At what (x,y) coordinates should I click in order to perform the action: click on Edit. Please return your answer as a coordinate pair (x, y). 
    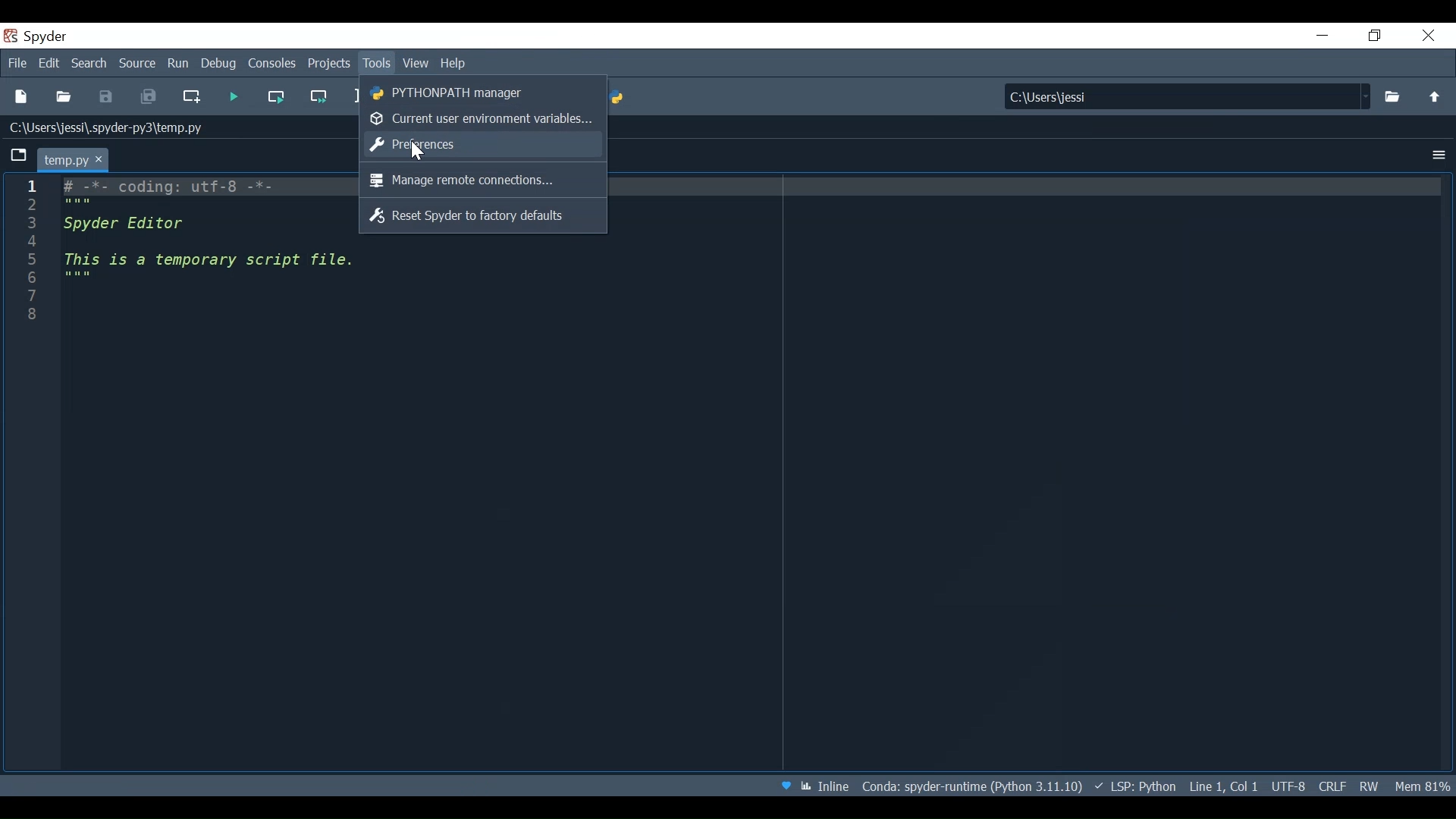
    Looking at the image, I should click on (51, 64).